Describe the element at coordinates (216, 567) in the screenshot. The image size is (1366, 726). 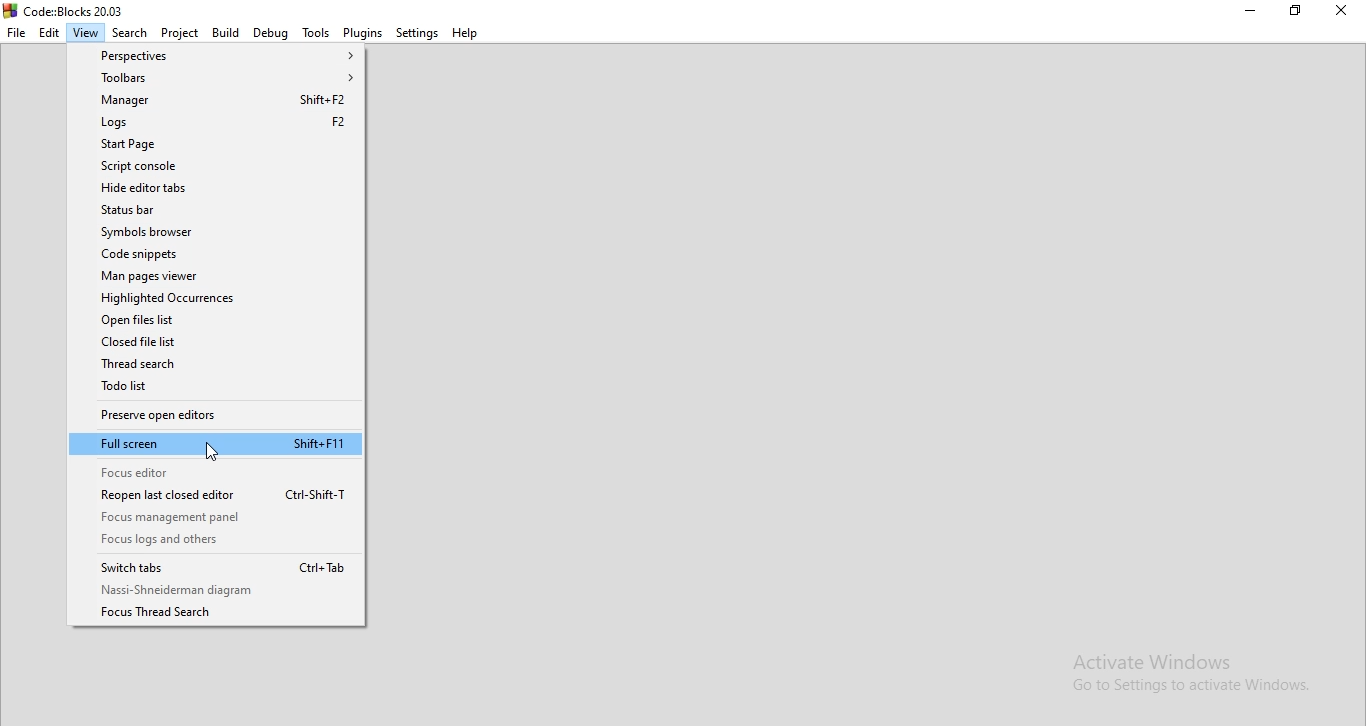
I see `Switch tabs` at that location.